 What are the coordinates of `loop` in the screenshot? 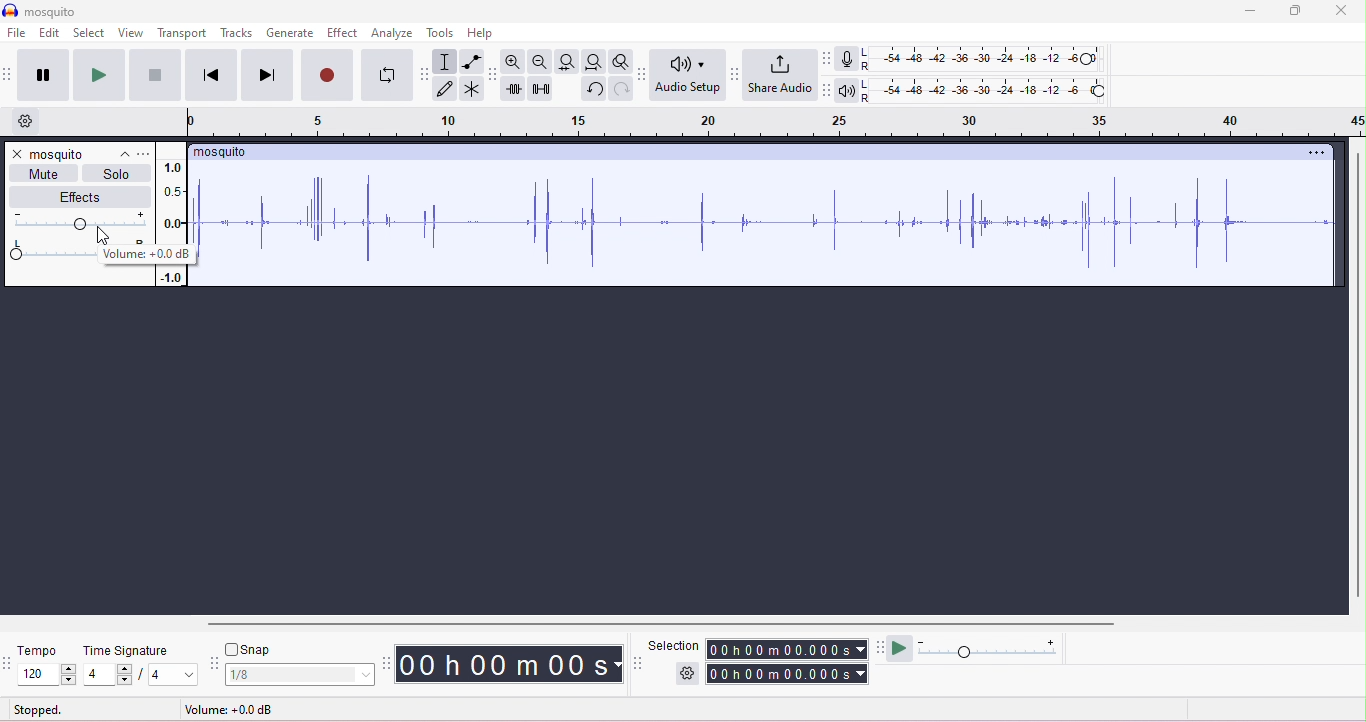 It's located at (388, 74).